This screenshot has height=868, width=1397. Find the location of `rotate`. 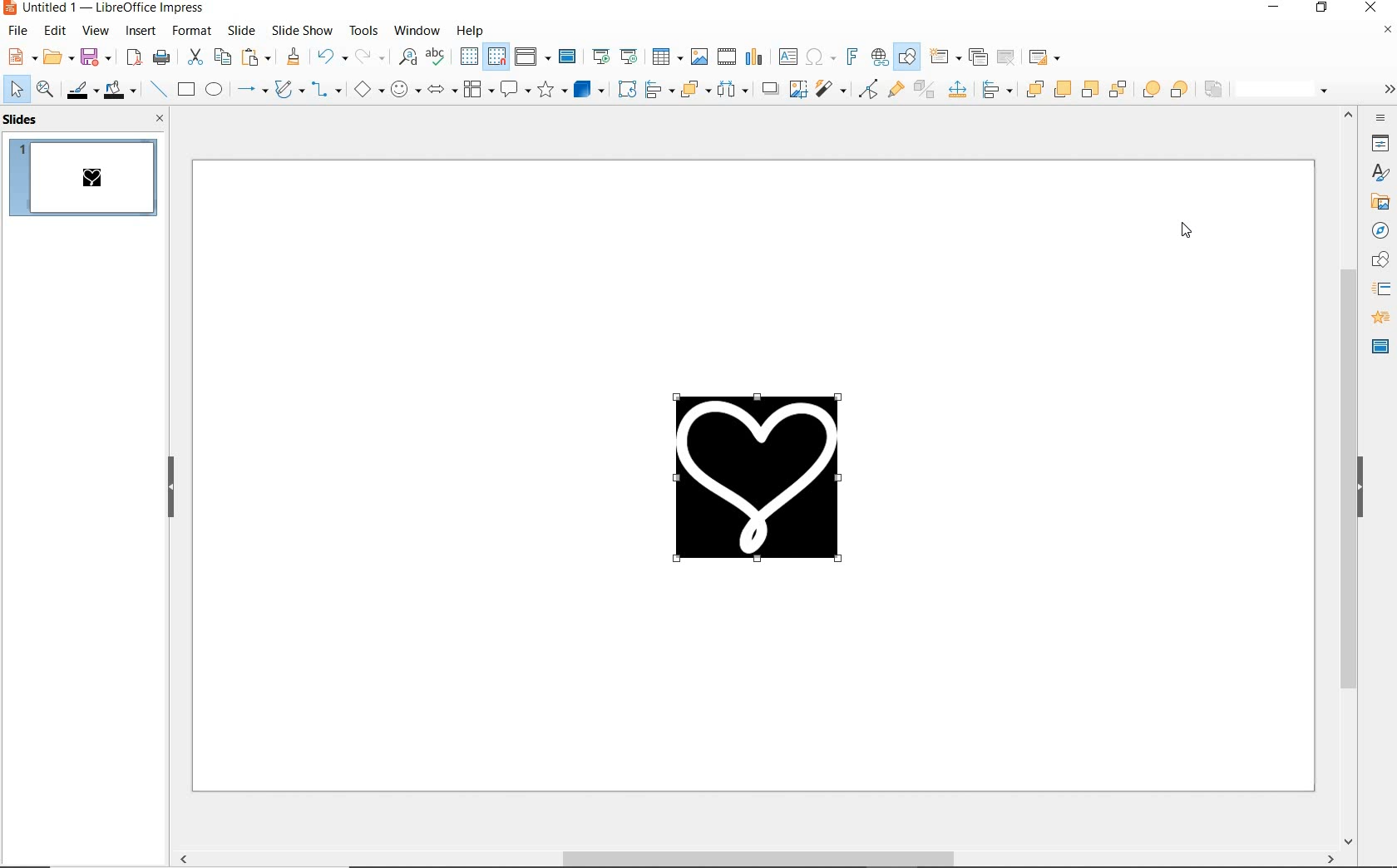

rotate is located at coordinates (627, 89).